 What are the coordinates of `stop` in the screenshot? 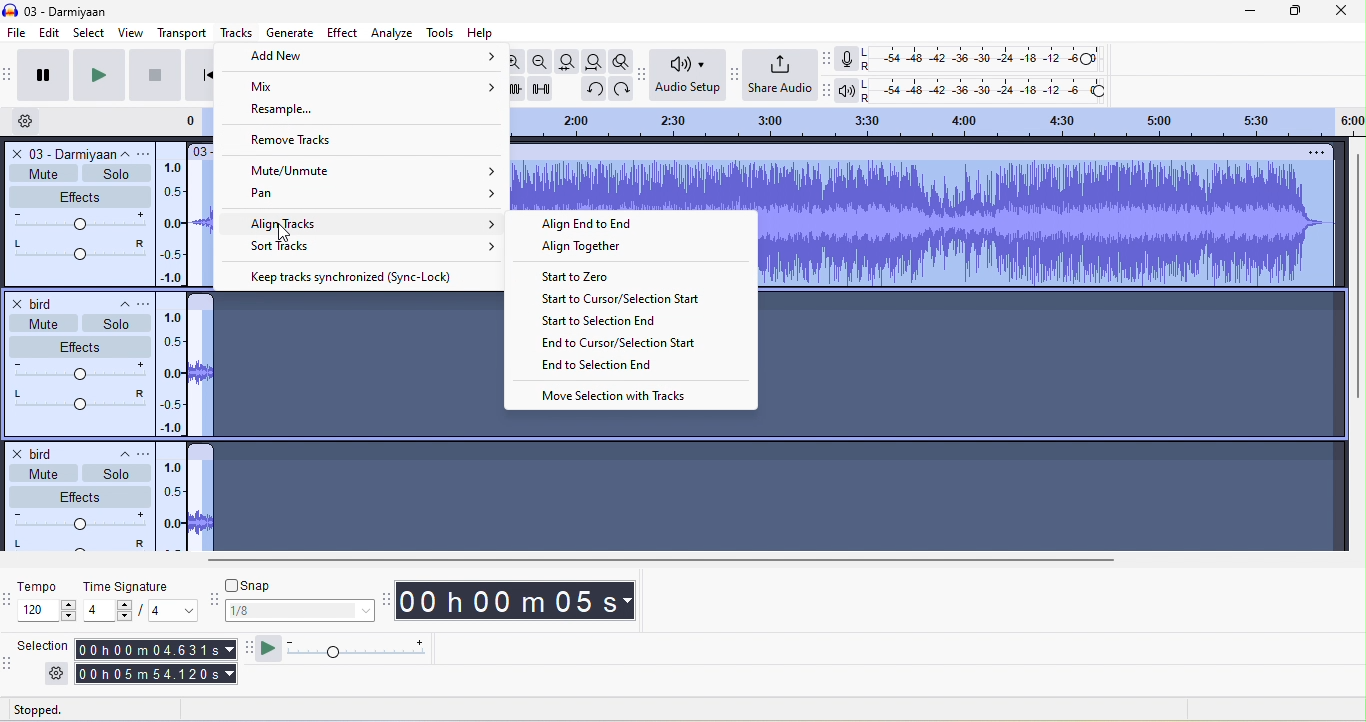 It's located at (152, 77).